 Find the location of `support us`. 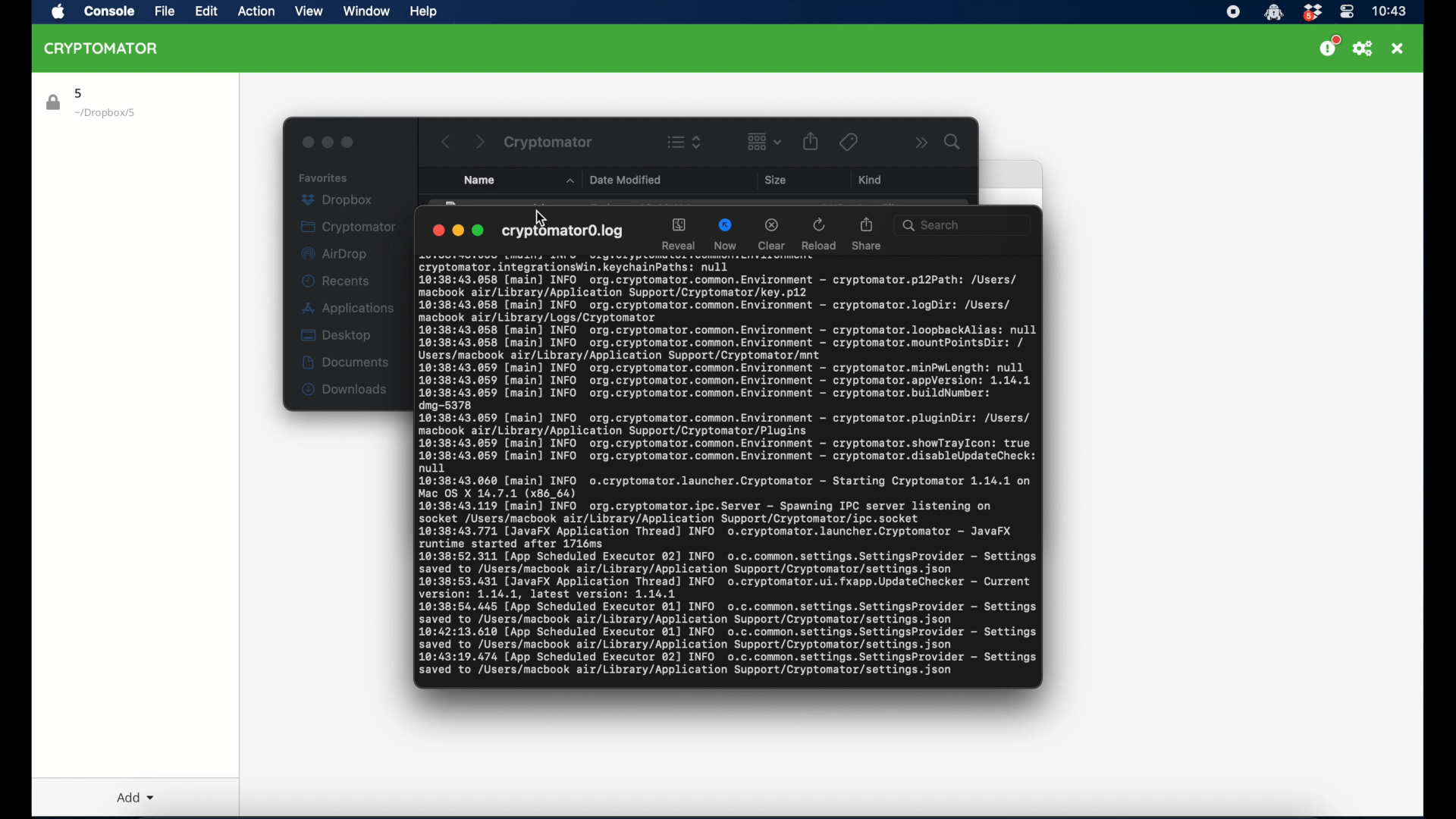

support us is located at coordinates (1331, 46).